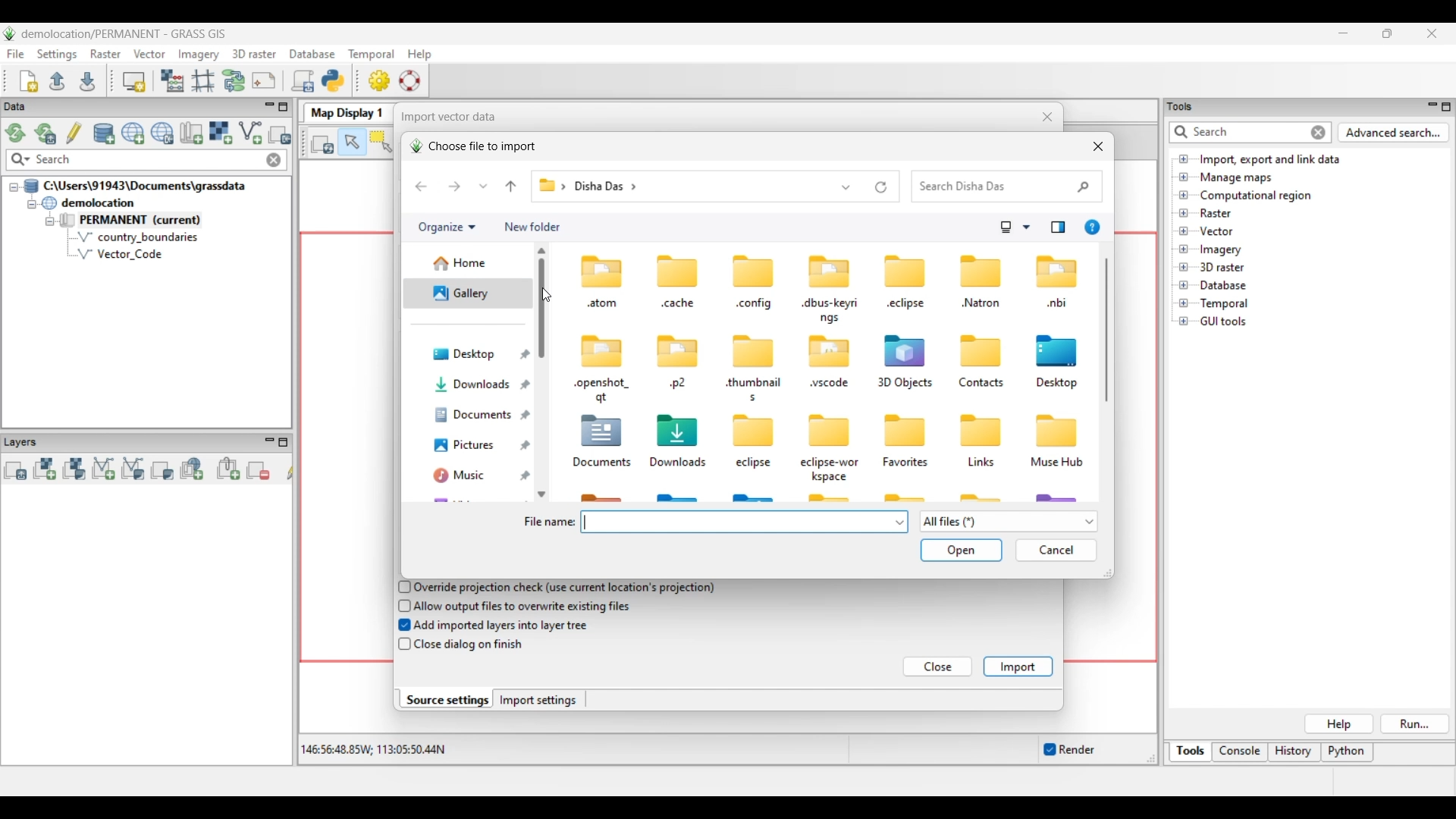 The height and width of the screenshot is (819, 1456). What do you see at coordinates (541, 494) in the screenshot?
I see `Quick slide to bottom` at bounding box center [541, 494].